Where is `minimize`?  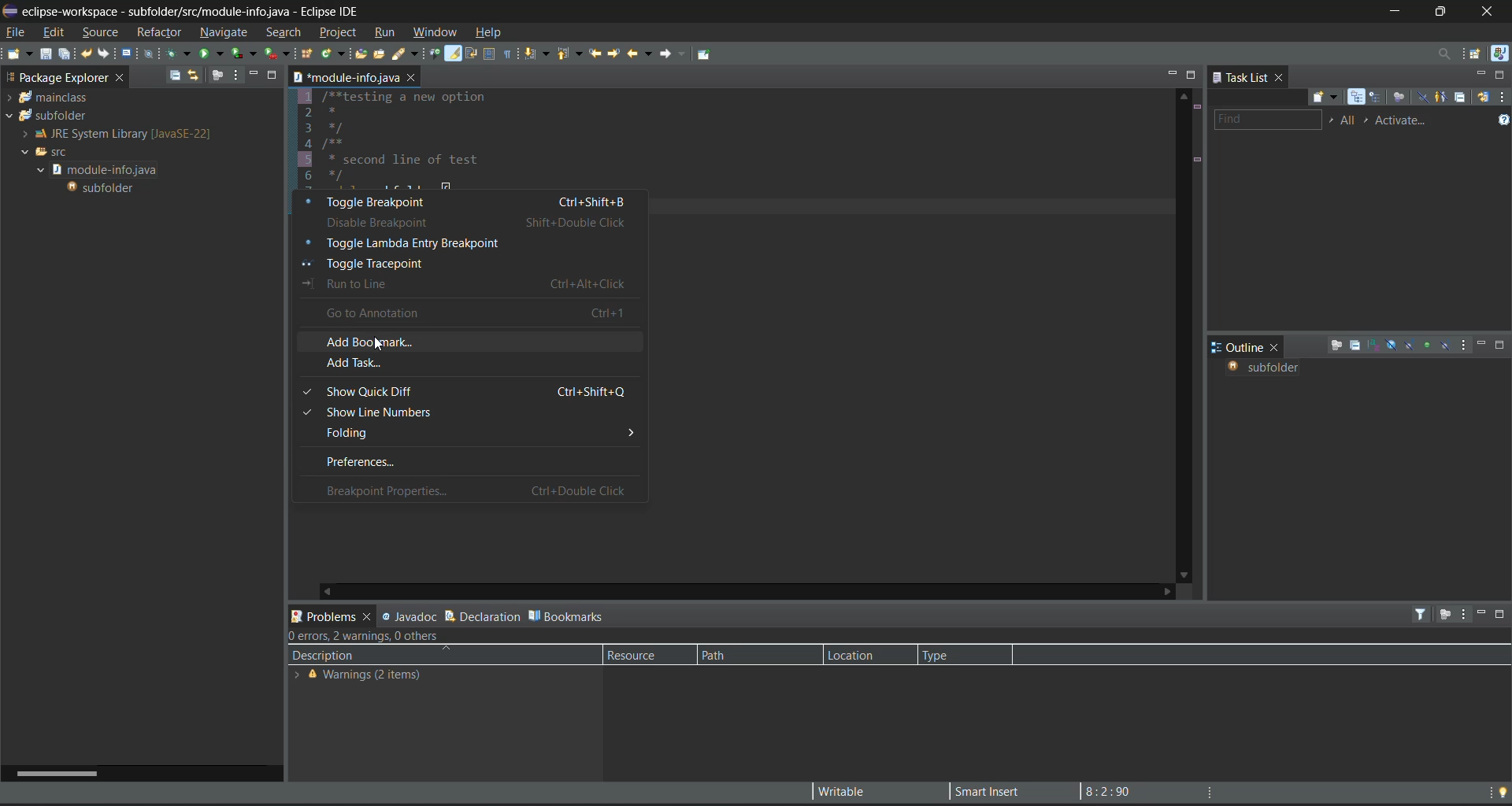
minimize is located at coordinates (251, 74).